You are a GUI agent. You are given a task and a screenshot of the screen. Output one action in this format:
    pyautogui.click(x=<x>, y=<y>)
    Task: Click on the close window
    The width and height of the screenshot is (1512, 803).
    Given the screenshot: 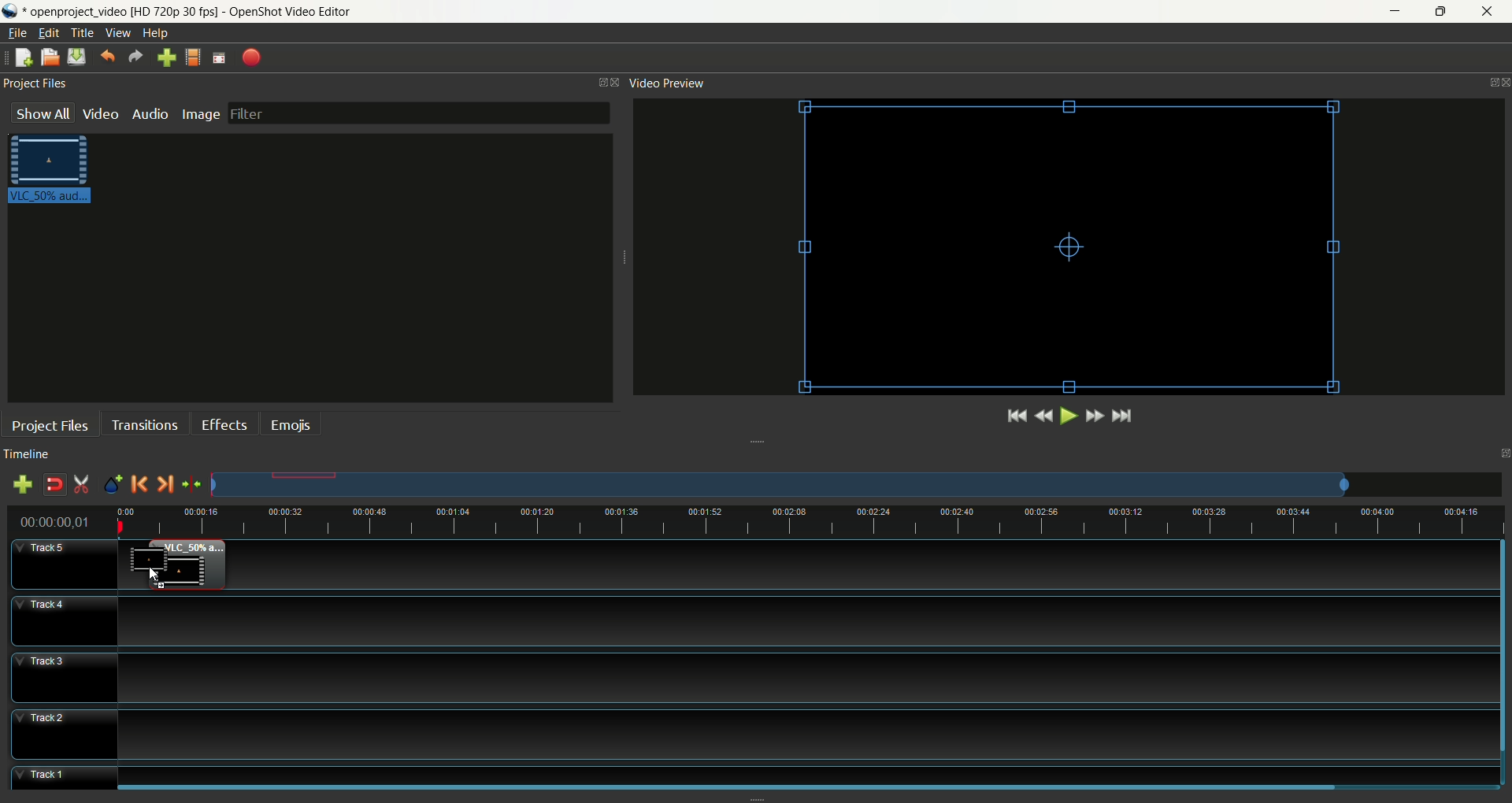 What is the action you would take?
    pyautogui.click(x=618, y=81)
    